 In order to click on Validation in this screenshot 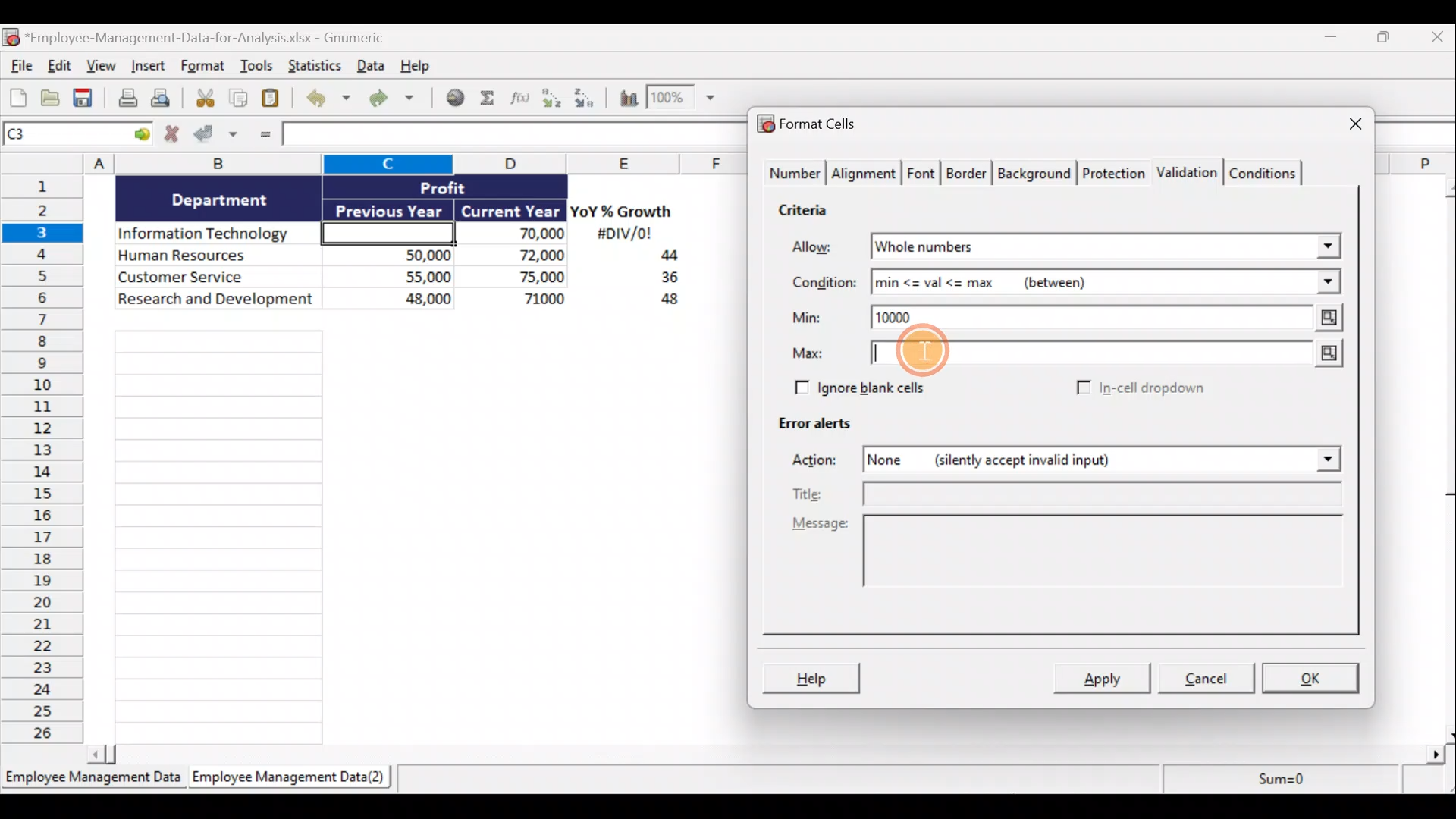, I will do `click(1189, 171)`.